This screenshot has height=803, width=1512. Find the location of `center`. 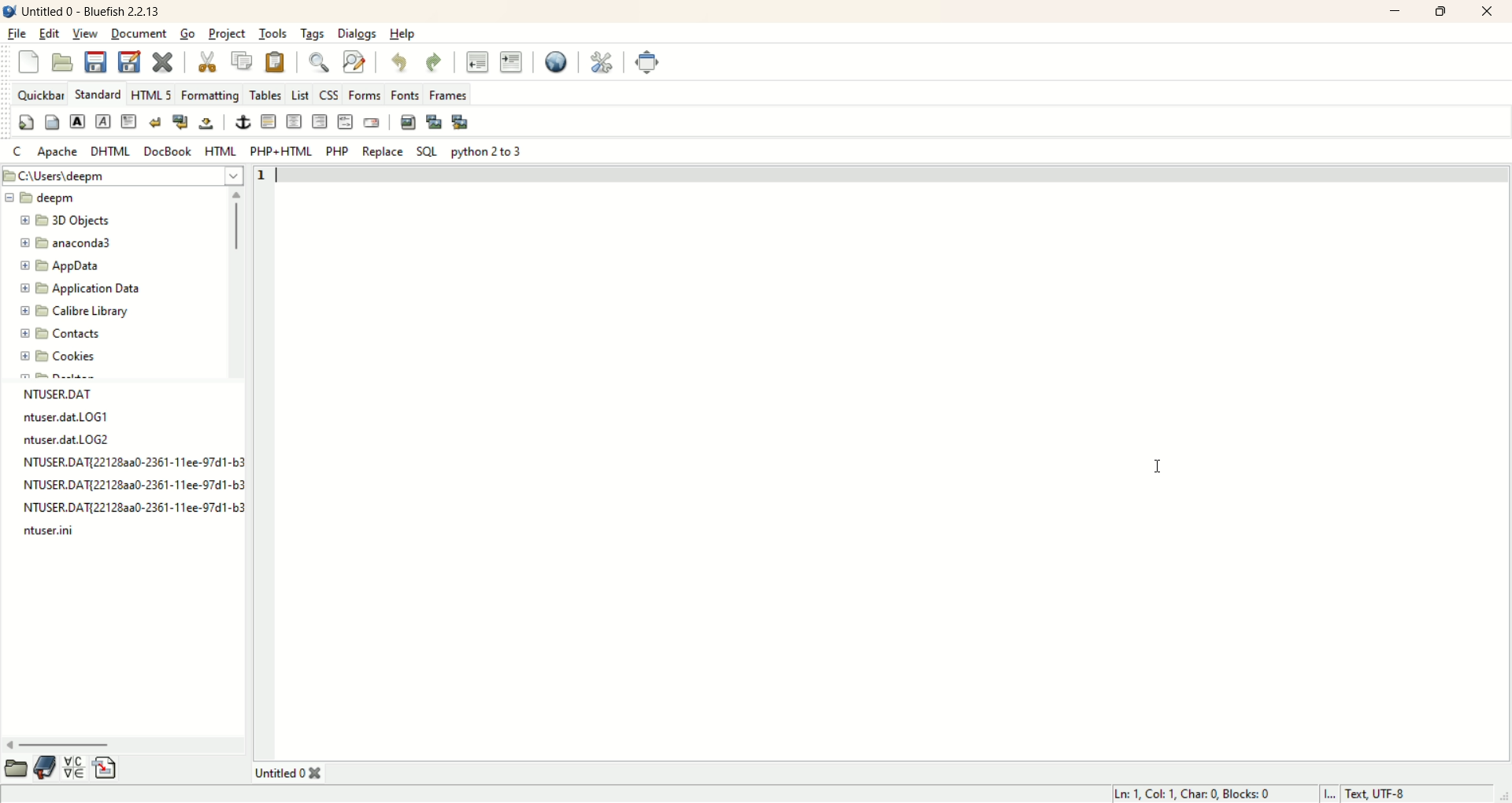

center is located at coordinates (294, 123).